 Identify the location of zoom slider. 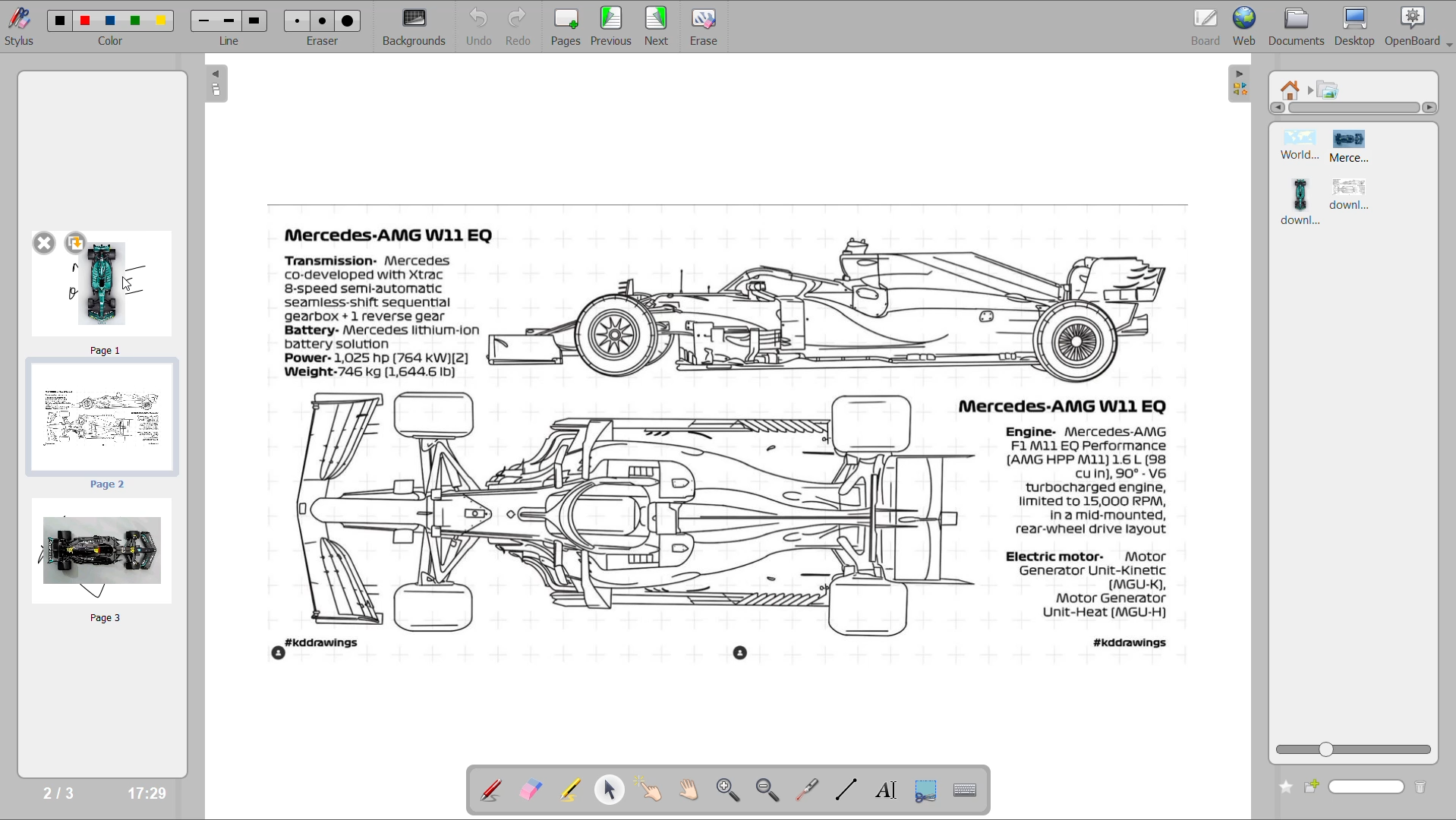
(1353, 748).